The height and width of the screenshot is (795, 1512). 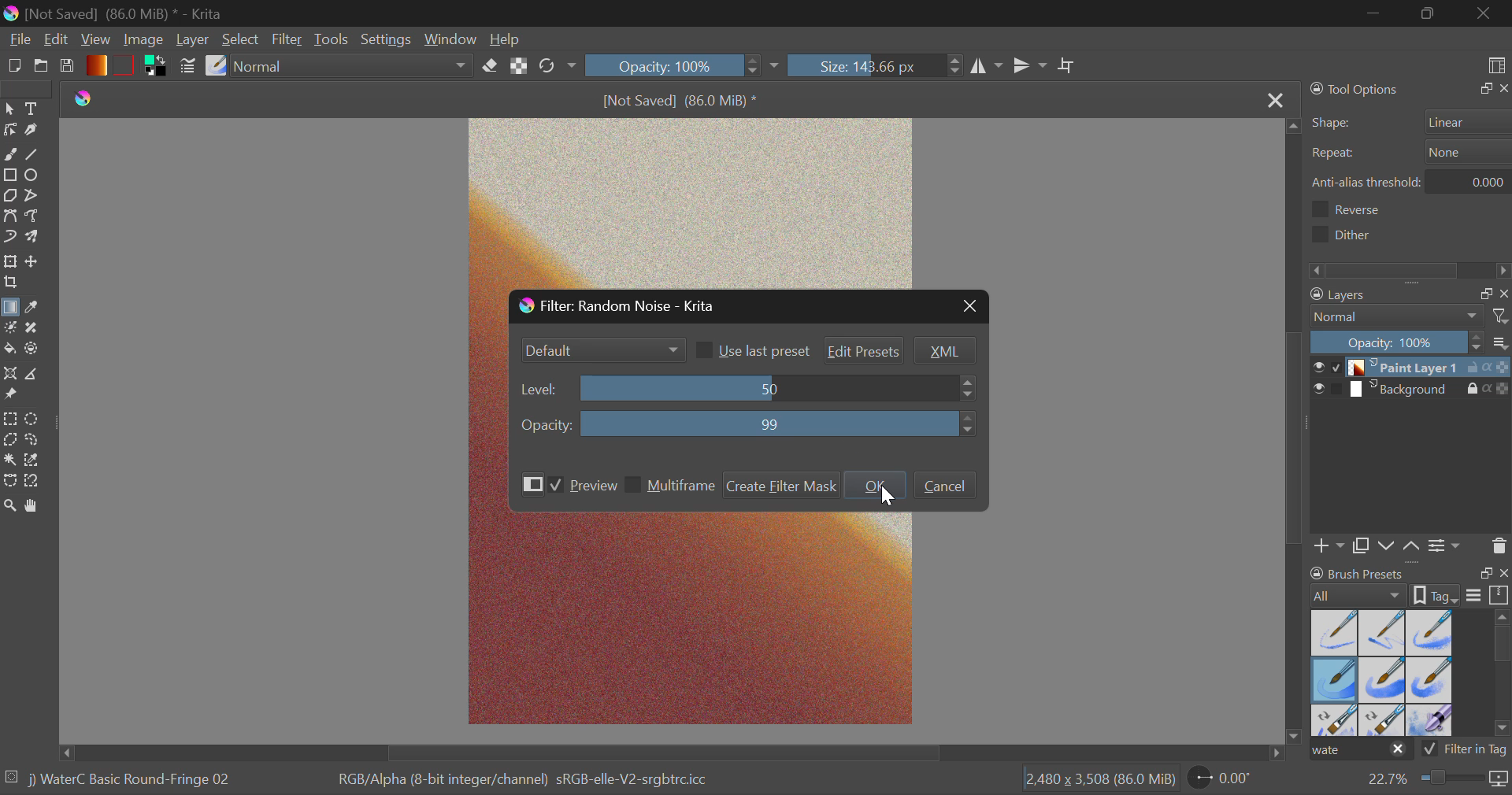 What do you see at coordinates (1376, 13) in the screenshot?
I see `Restore Down` at bounding box center [1376, 13].